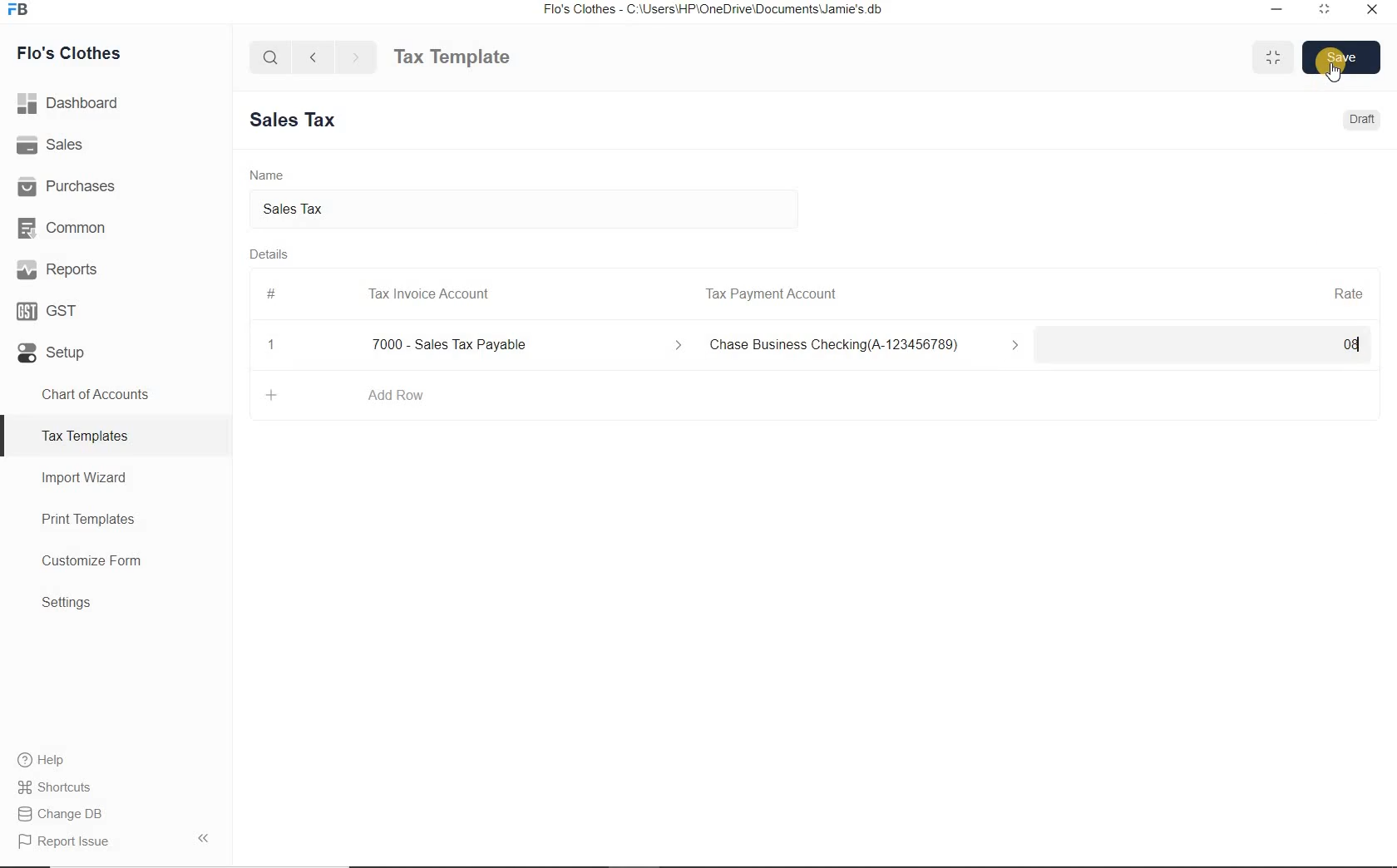 This screenshot has width=1397, height=868. Describe the element at coordinates (116, 841) in the screenshot. I see `Report Issue` at that location.